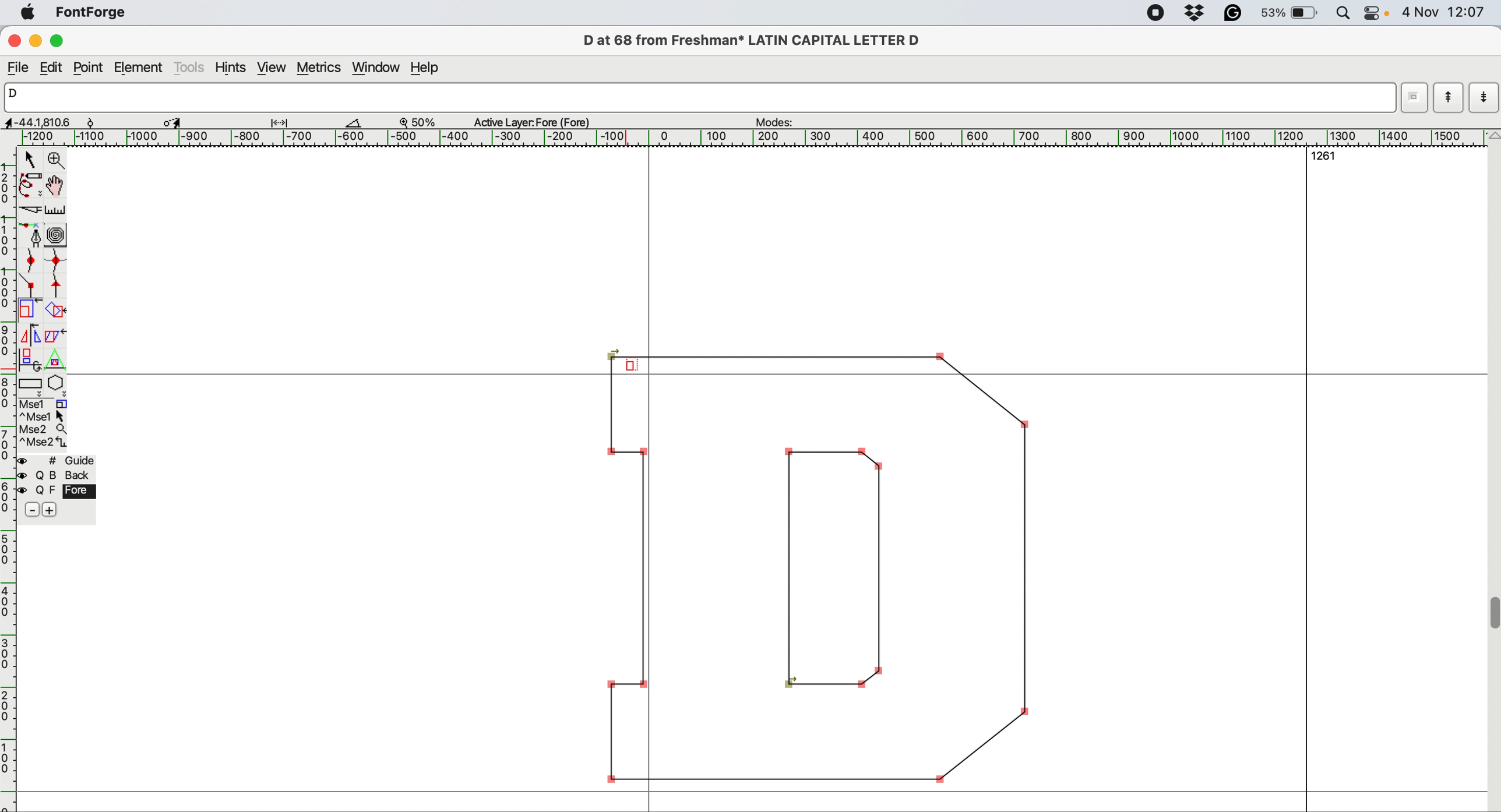 This screenshot has height=812, width=1501. What do you see at coordinates (31, 336) in the screenshot?
I see `flip the selection` at bounding box center [31, 336].